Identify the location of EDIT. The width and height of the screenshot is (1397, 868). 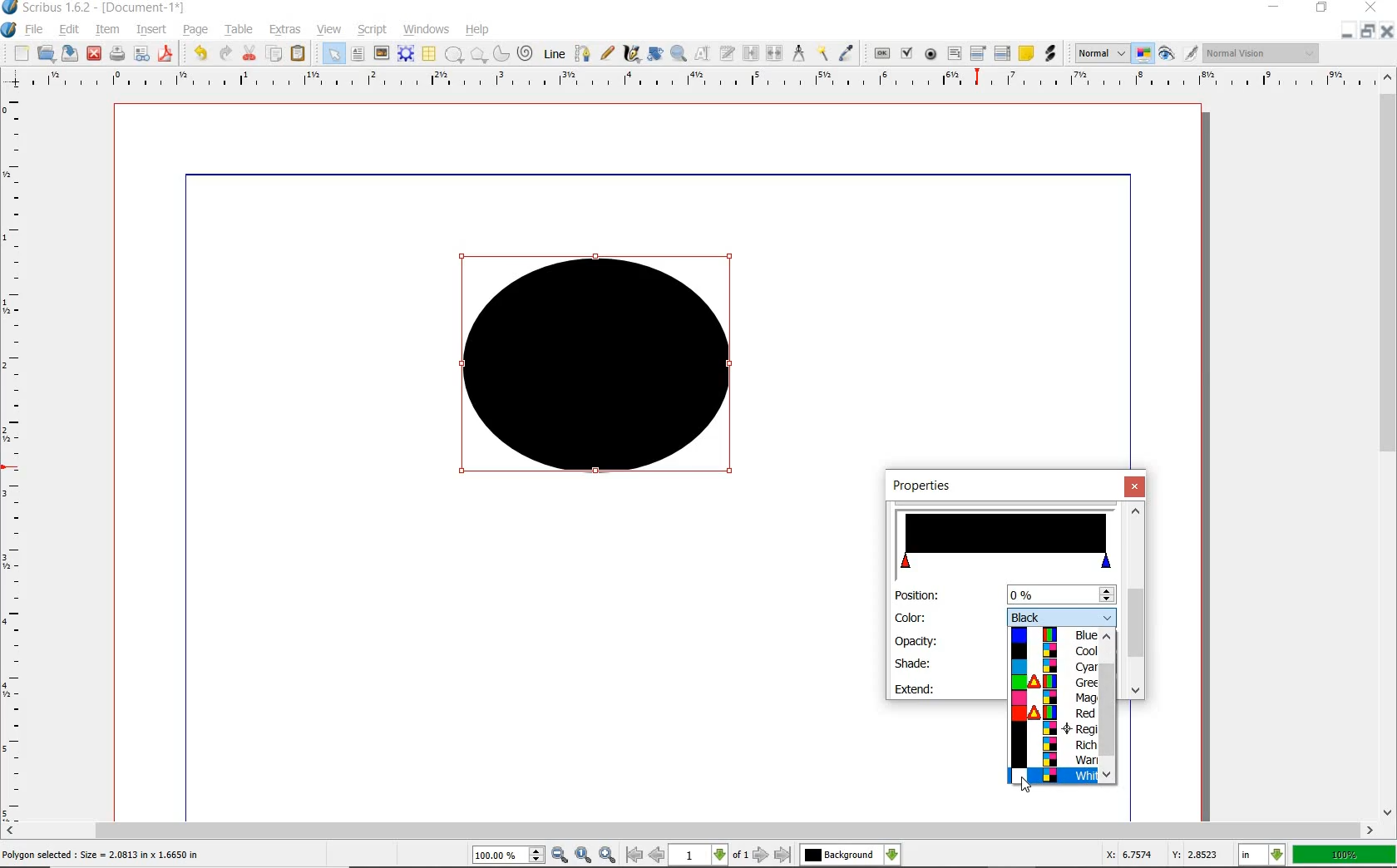
(68, 31).